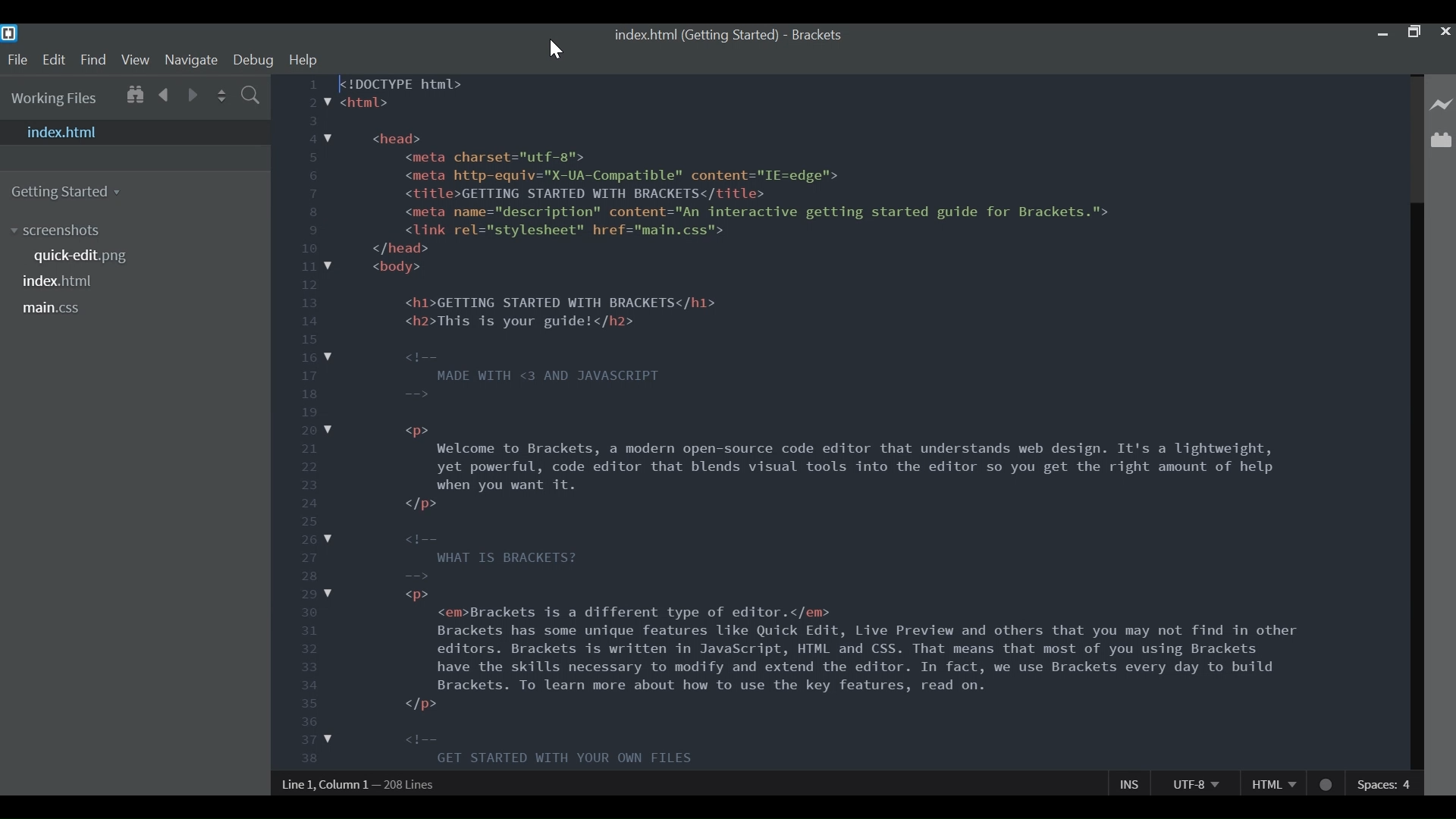 The image size is (1456, 819). What do you see at coordinates (163, 95) in the screenshot?
I see `Navigate backward` at bounding box center [163, 95].